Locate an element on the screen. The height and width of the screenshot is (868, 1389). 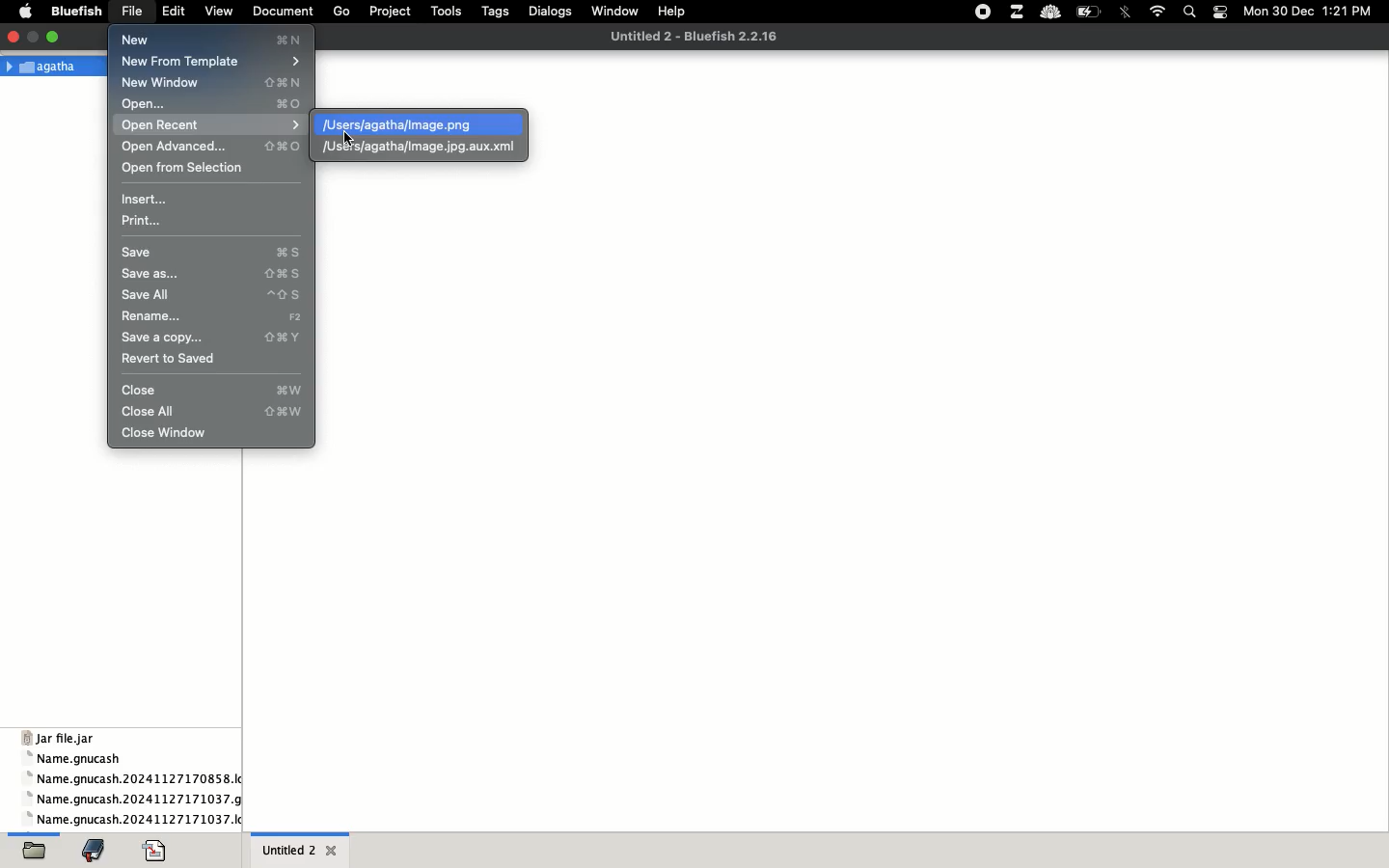
insert is located at coordinates (149, 200).